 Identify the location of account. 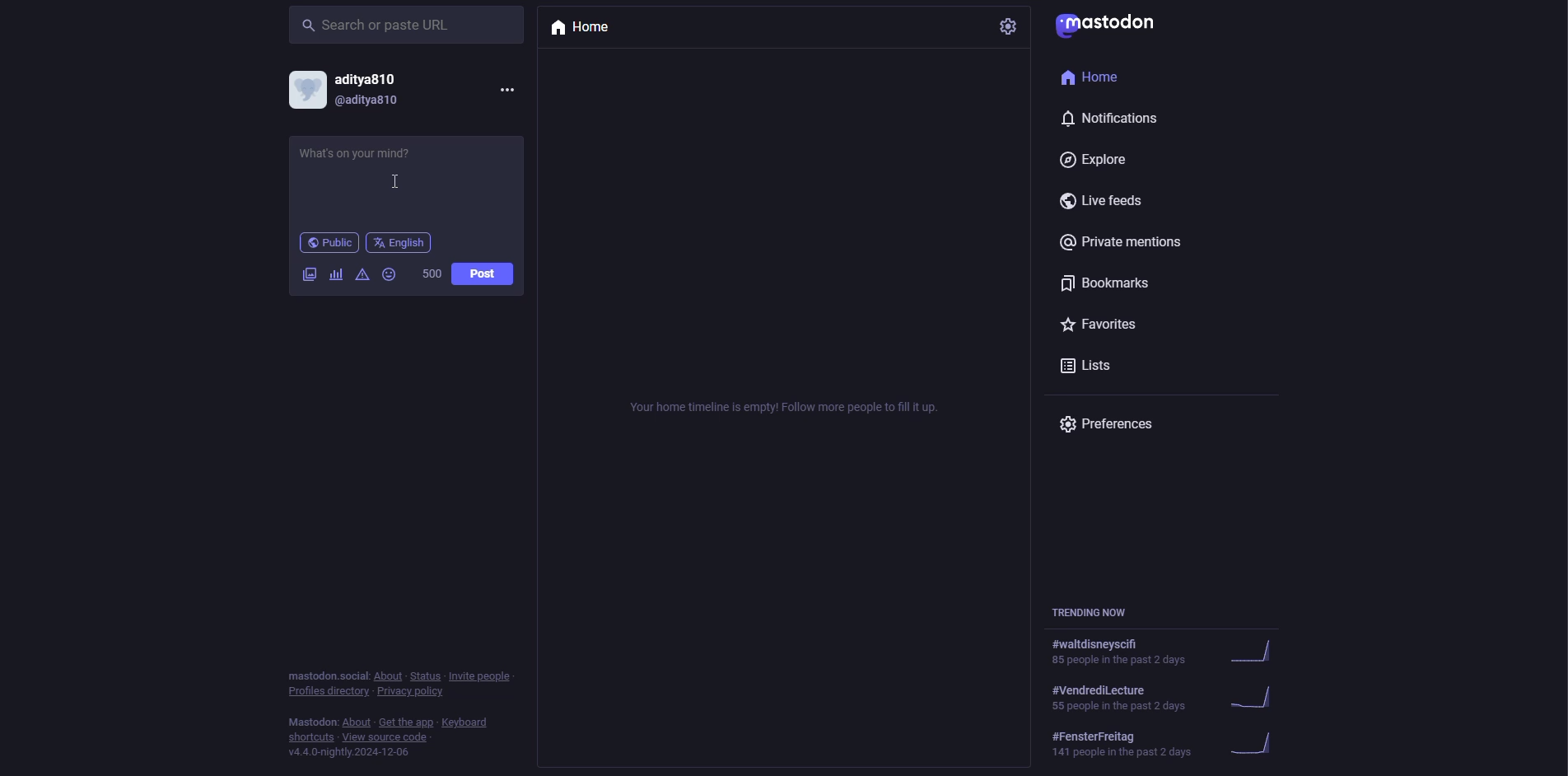
(353, 91).